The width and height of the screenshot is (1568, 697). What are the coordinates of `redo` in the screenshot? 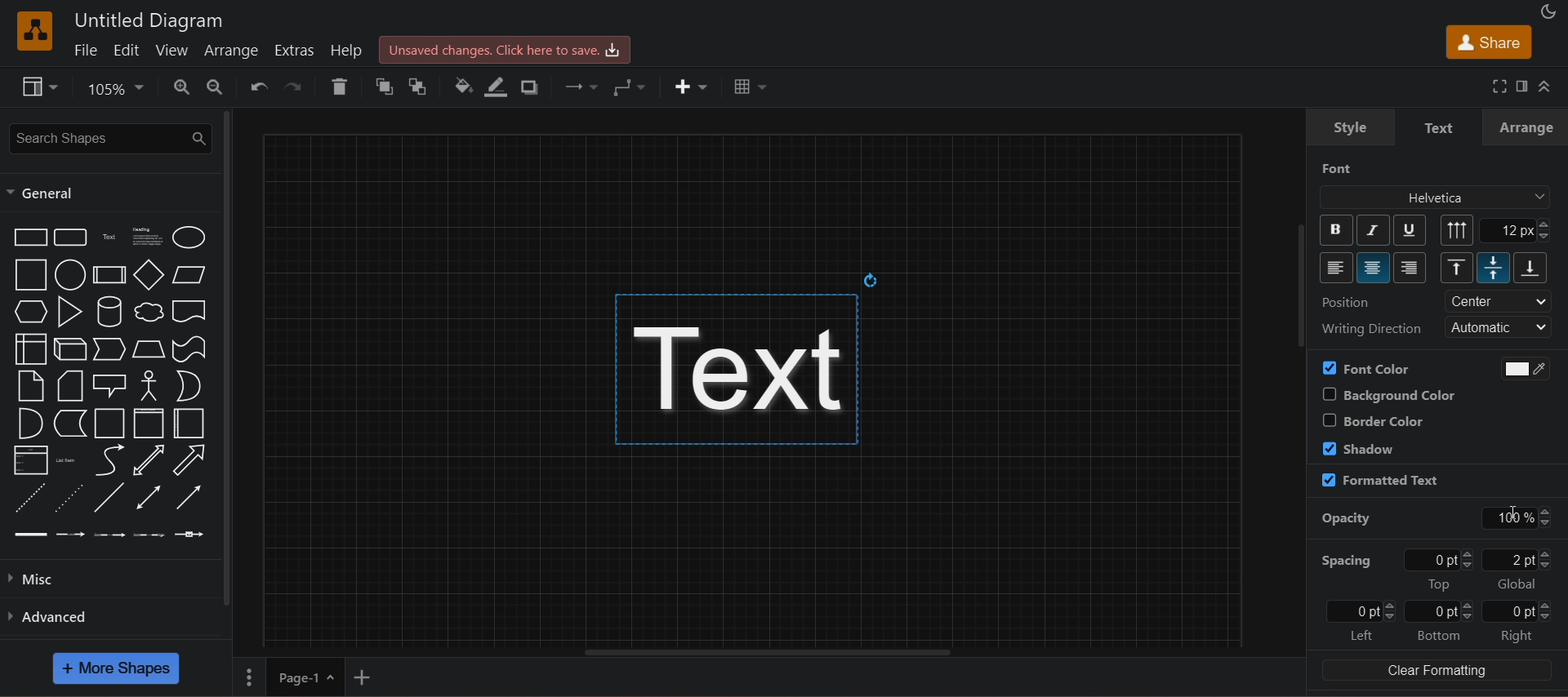 It's located at (296, 85).